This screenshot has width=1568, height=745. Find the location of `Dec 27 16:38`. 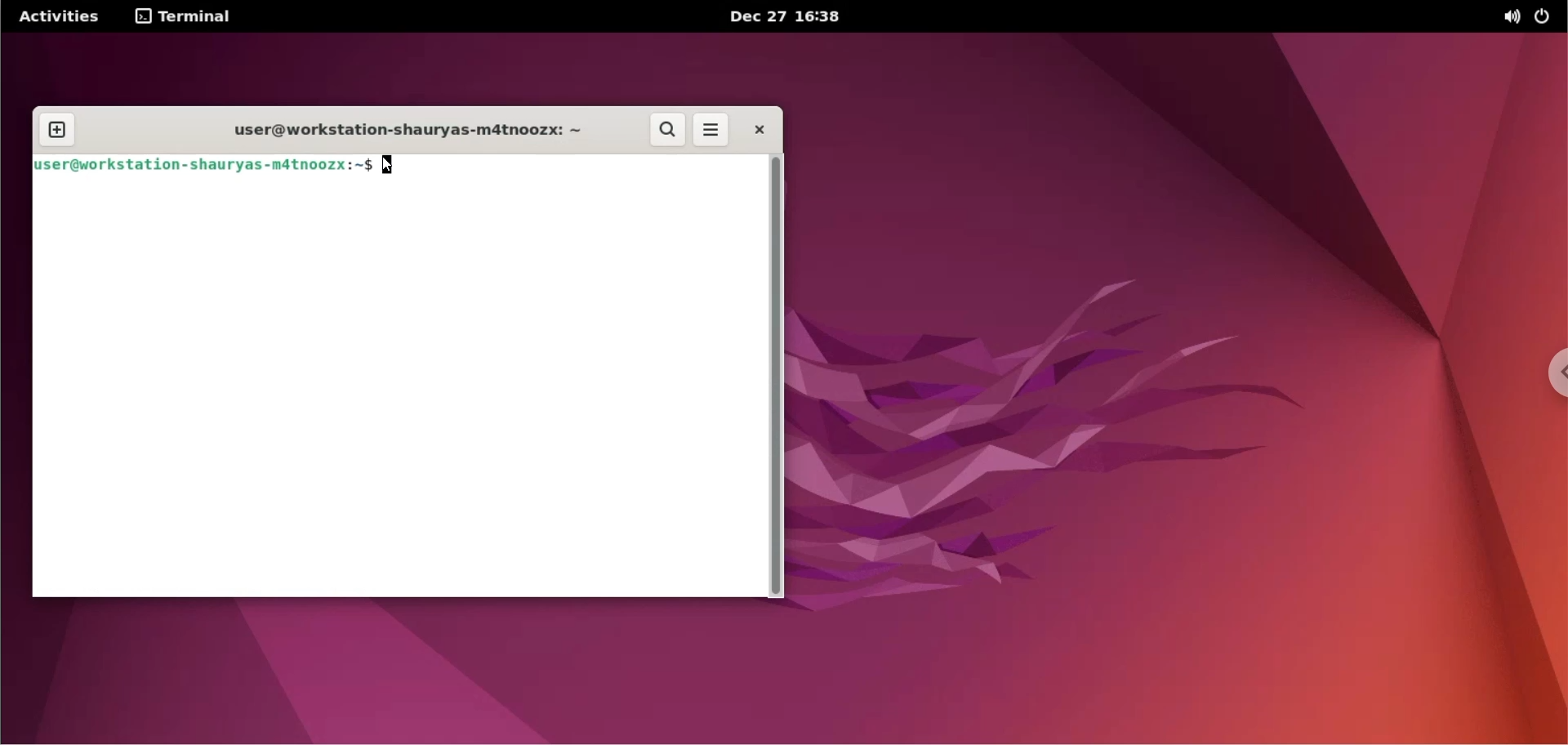

Dec 27 16:38 is located at coordinates (806, 17).